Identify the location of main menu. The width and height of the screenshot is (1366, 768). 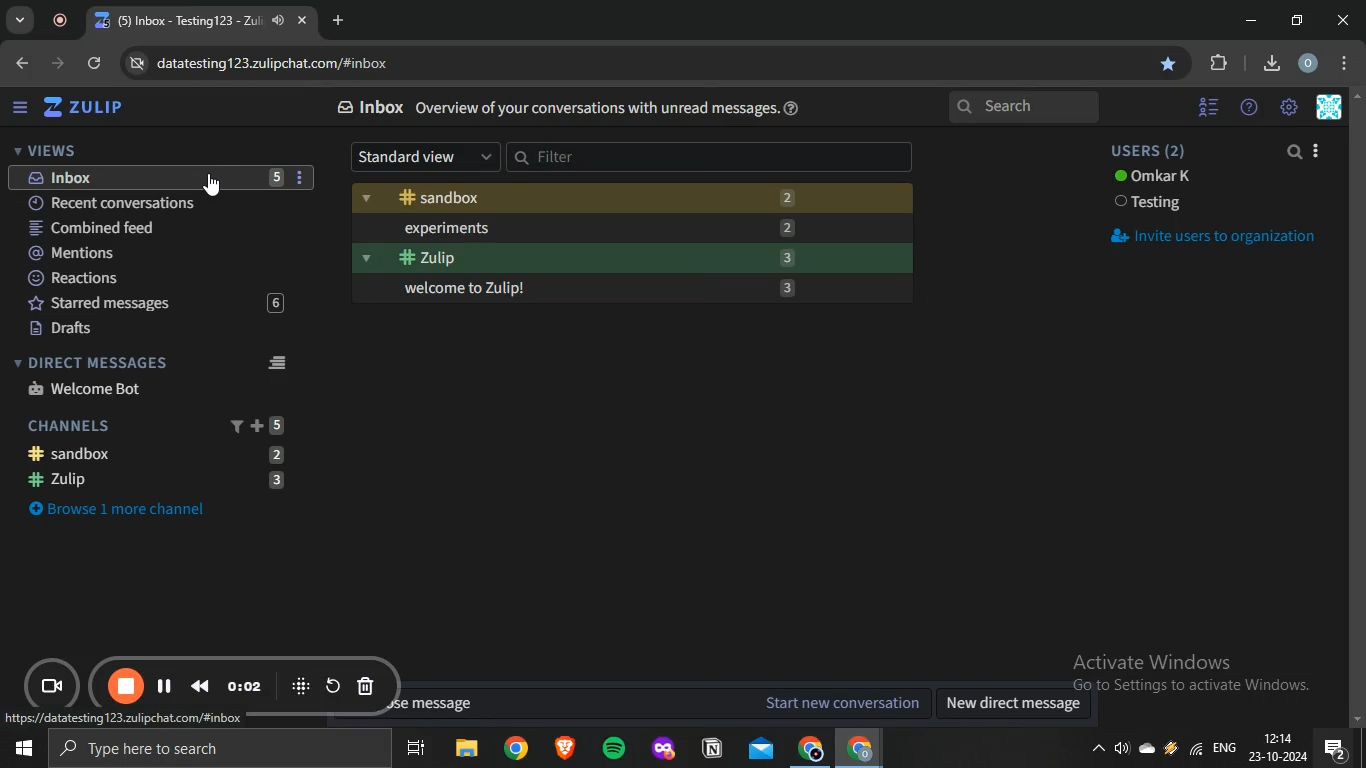
(1290, 108).